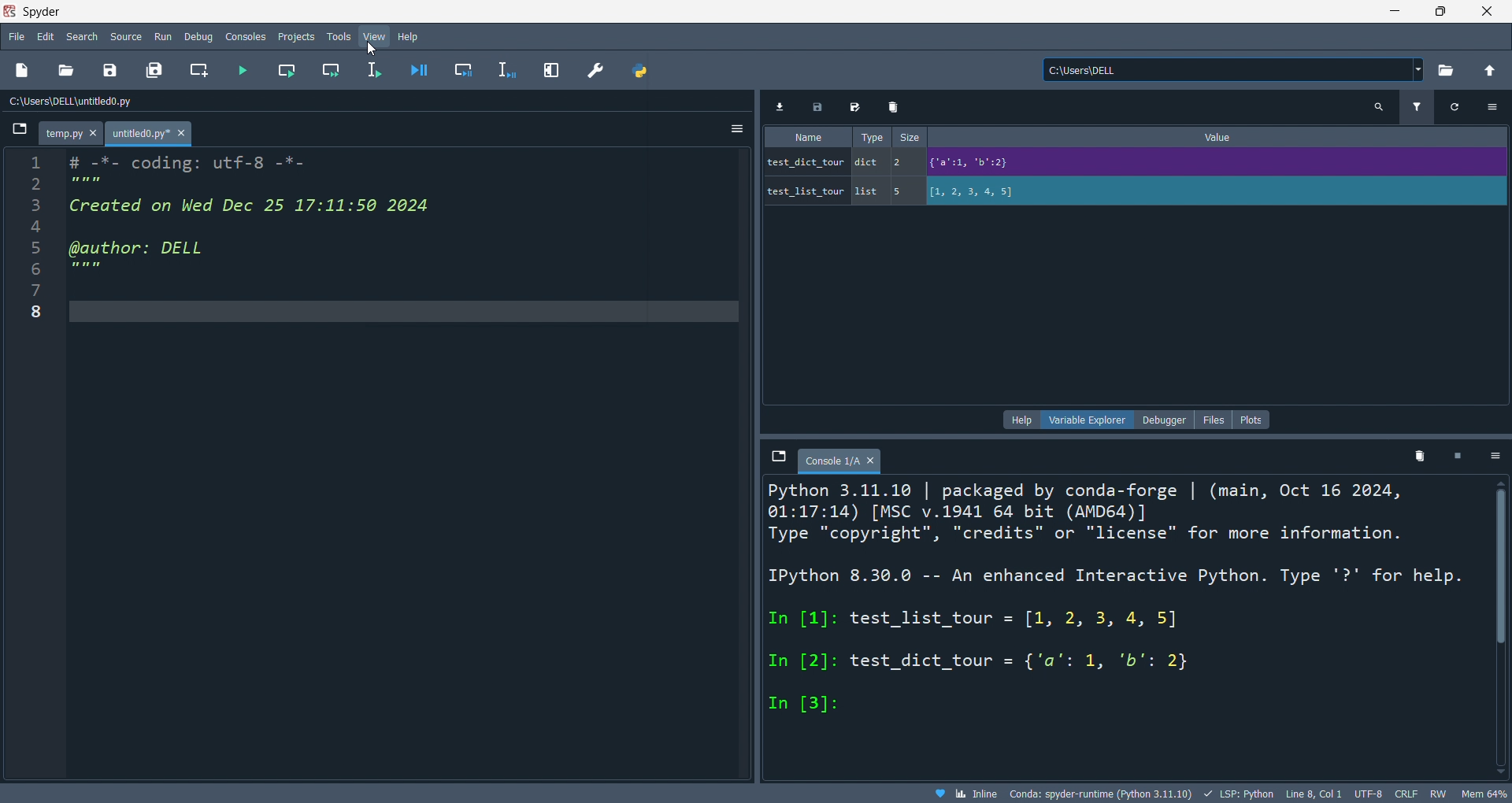 Image resolution: width=1512 pixels, height=803 pixels. What do you see at coordinates (784, 107) in the screenshot?
I see `import` at bounding box center [784, 107].